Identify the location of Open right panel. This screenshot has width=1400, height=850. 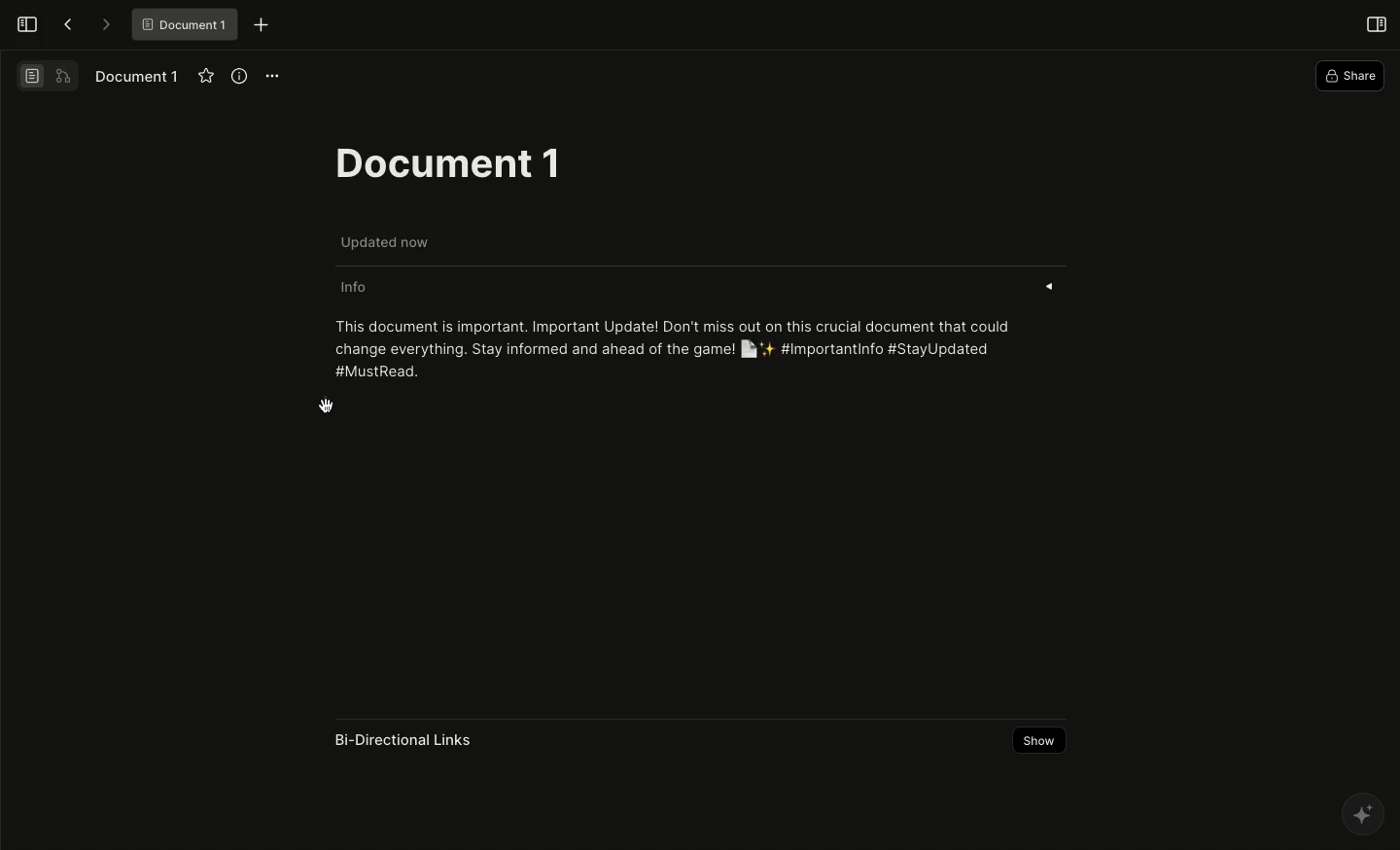
(1374, 24).